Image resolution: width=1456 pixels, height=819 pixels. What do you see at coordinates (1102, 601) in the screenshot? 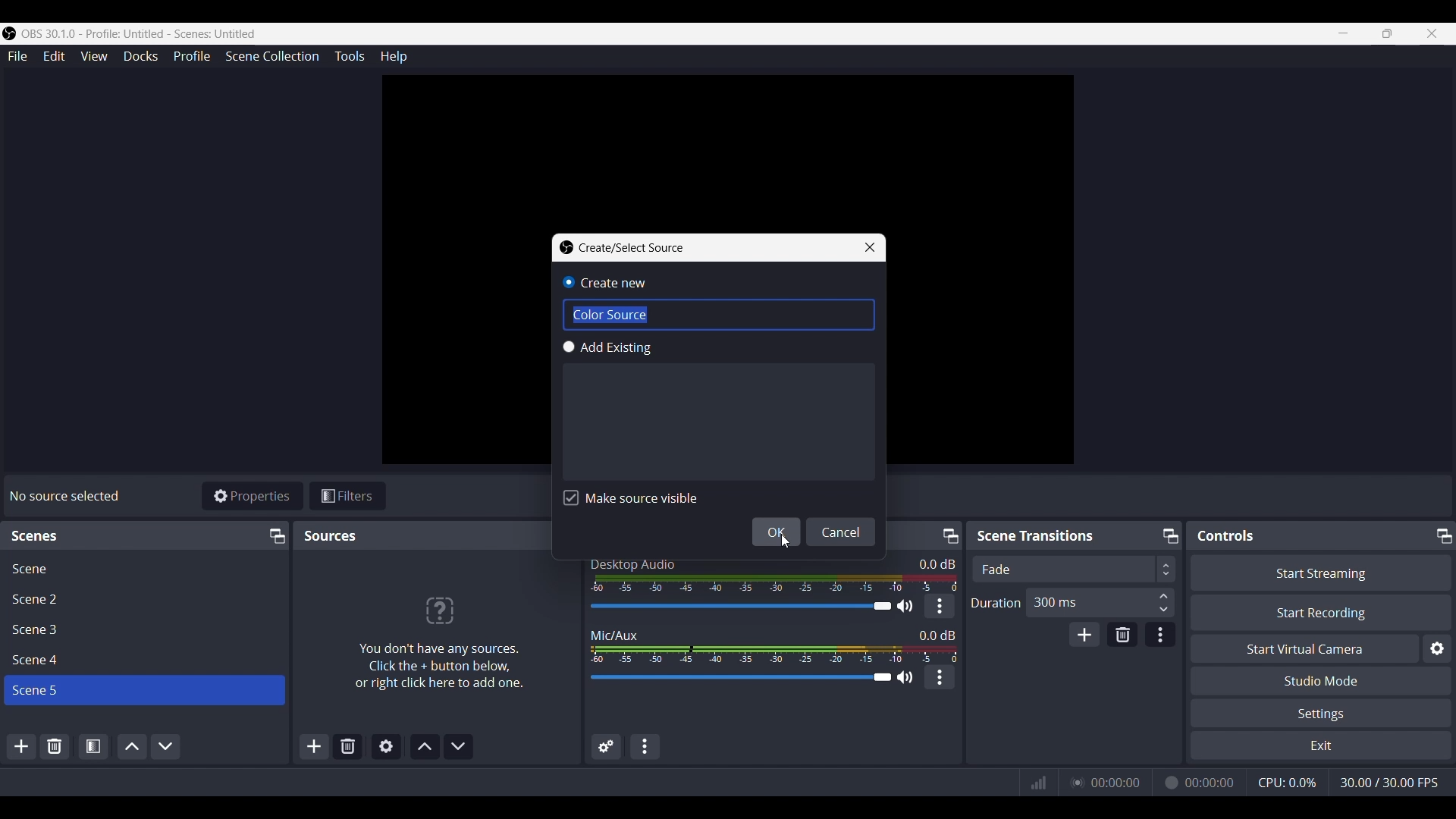
I see `300 ms` at bounding box center [1102, 601].